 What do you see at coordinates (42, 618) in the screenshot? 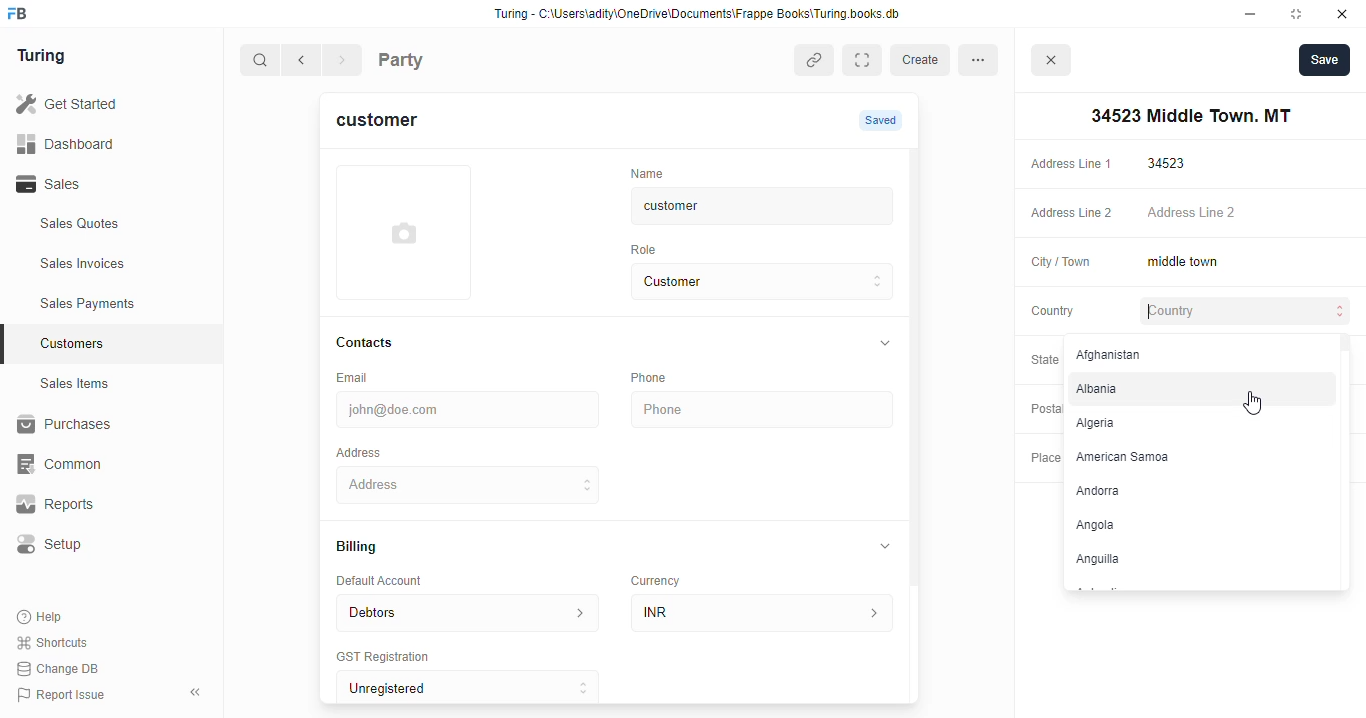
I see `Help` at bounding box center [42, 618].